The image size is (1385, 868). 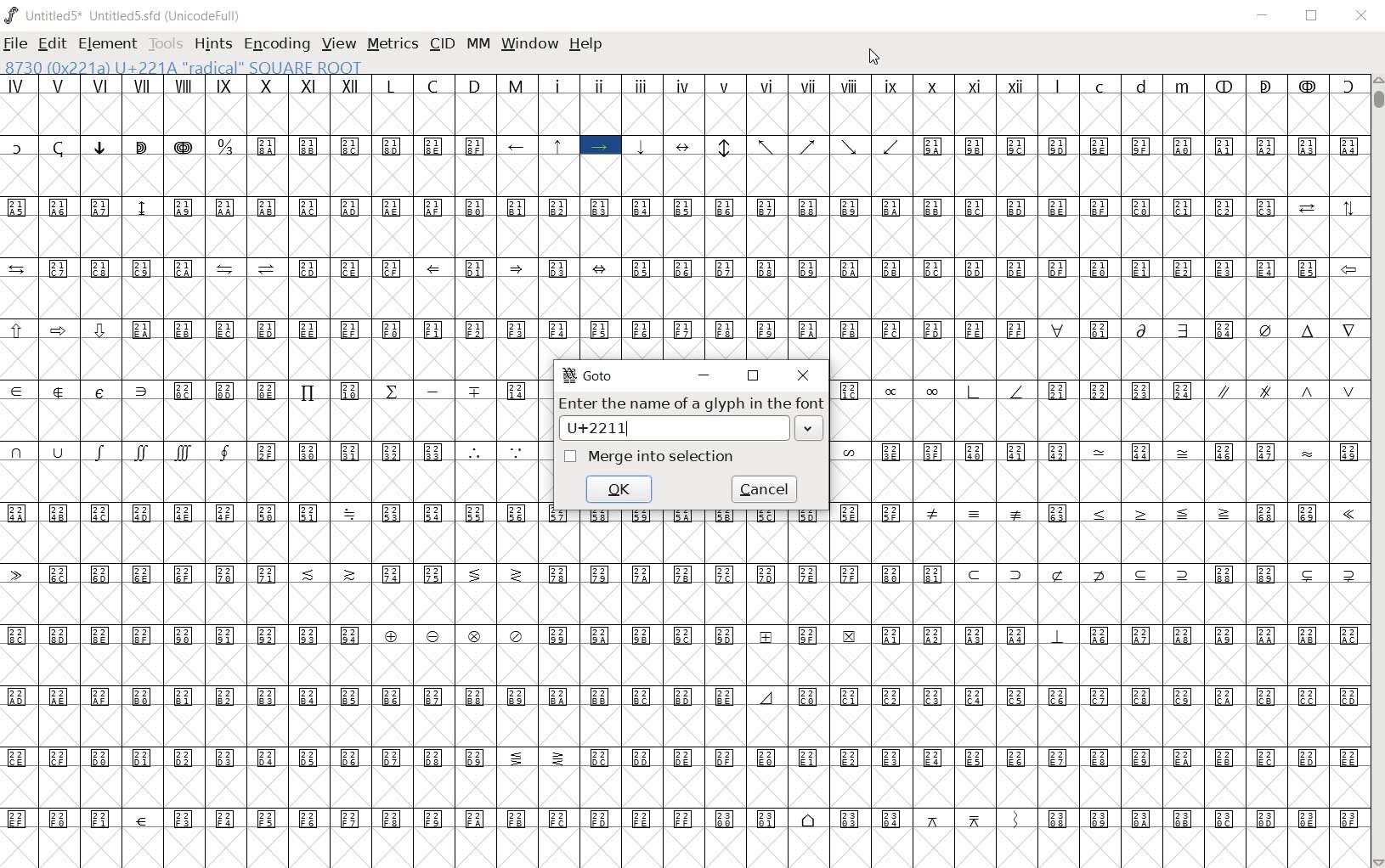 What do you see at coordinates (212, 44) in the screenshot?
I see `HINTS` at bounding box center [212, 44].